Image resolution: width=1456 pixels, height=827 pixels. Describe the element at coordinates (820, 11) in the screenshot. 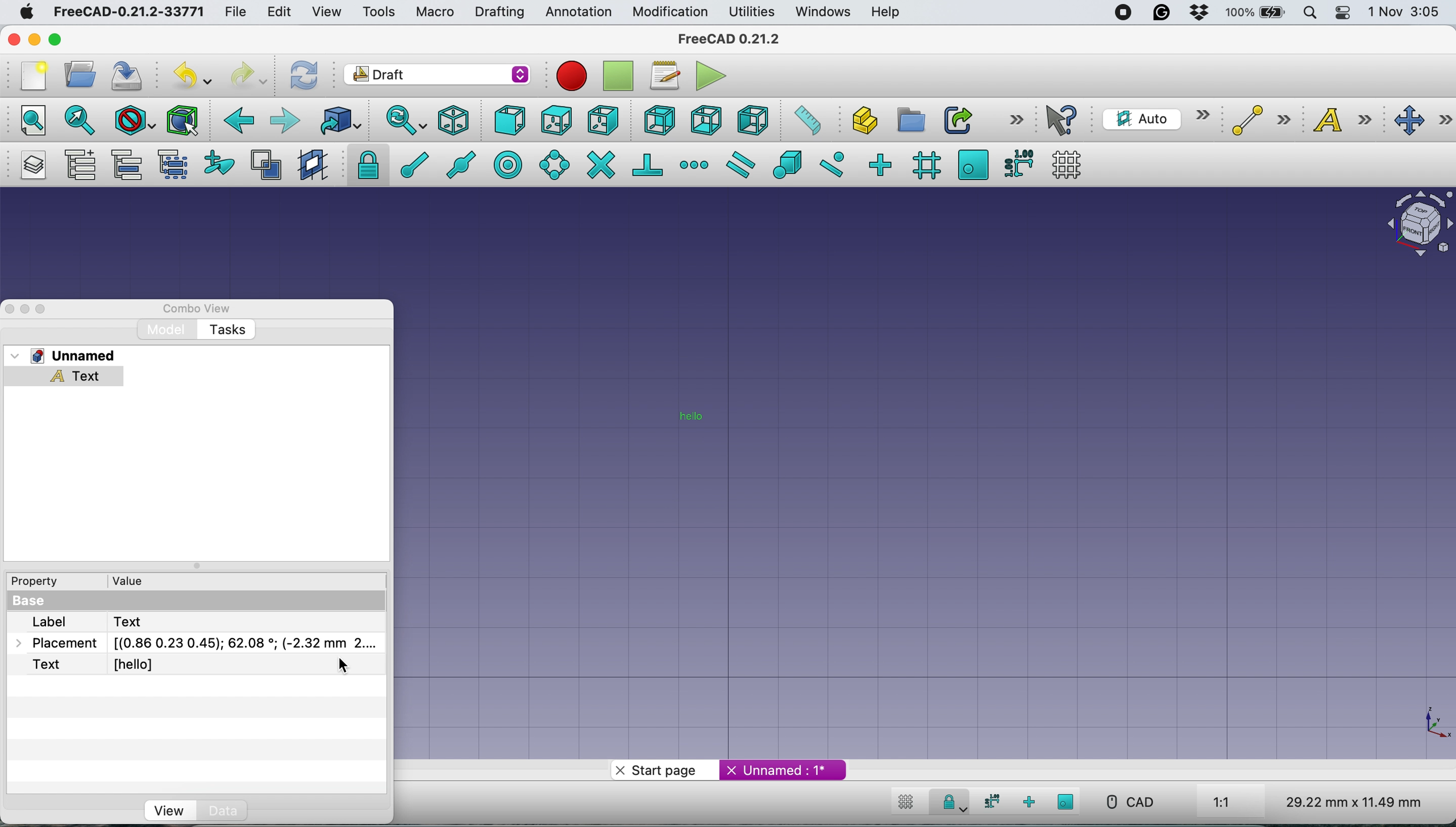

I see `windows` at that location.